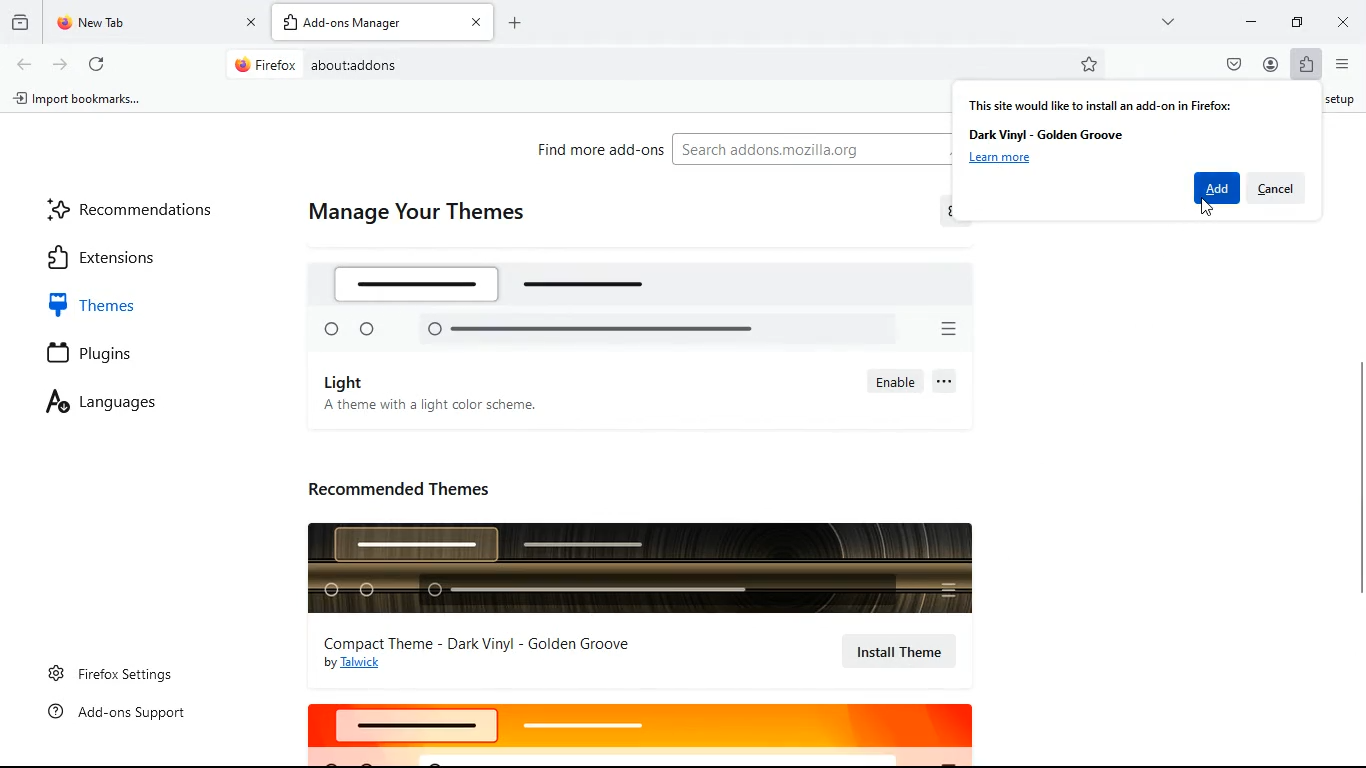  Describe the element at coordinates (119, 405) in the screenshot. I see `languages` at that location.